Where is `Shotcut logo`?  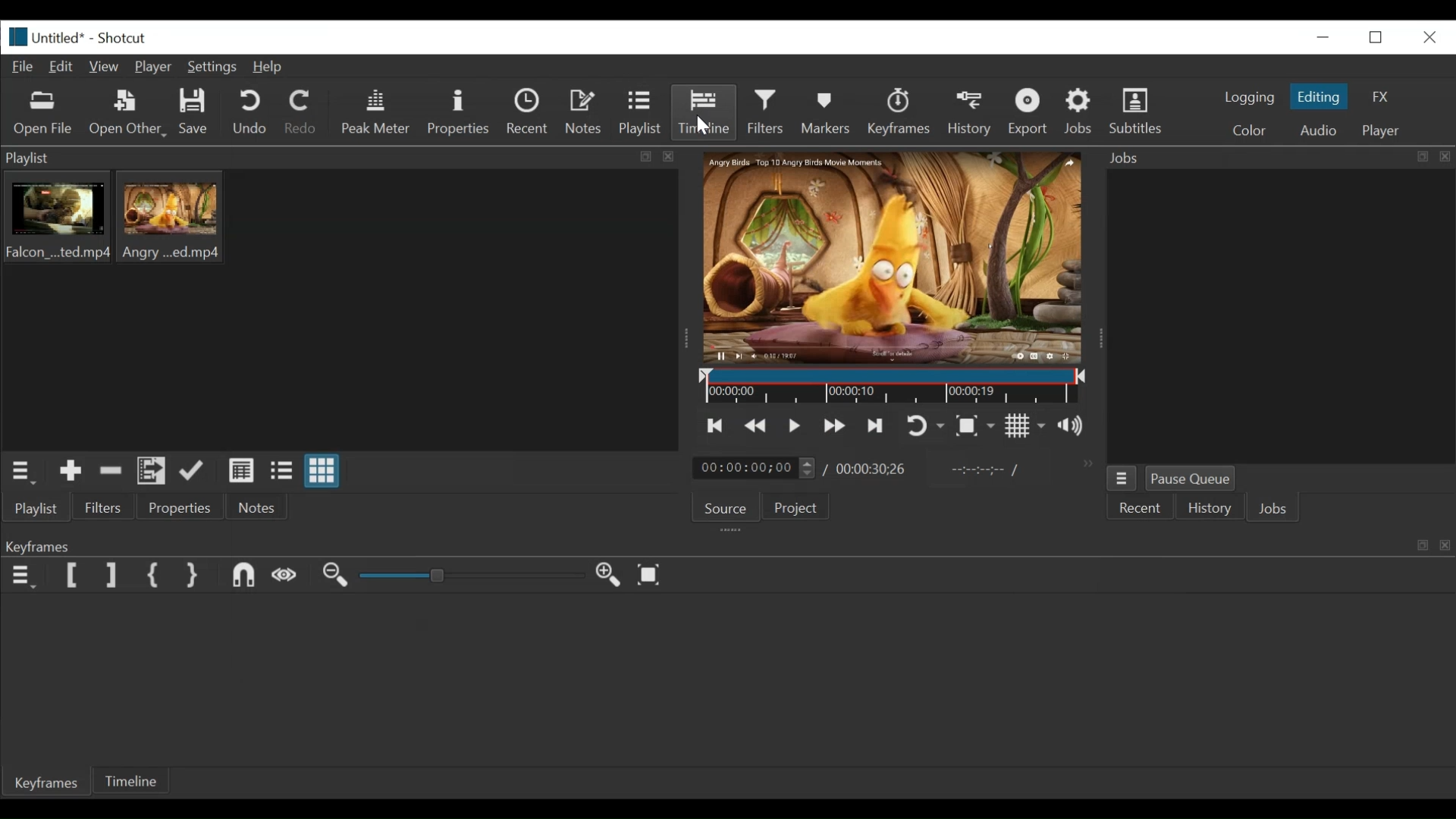
Shotcut logo is located at coordinates (14, 35).